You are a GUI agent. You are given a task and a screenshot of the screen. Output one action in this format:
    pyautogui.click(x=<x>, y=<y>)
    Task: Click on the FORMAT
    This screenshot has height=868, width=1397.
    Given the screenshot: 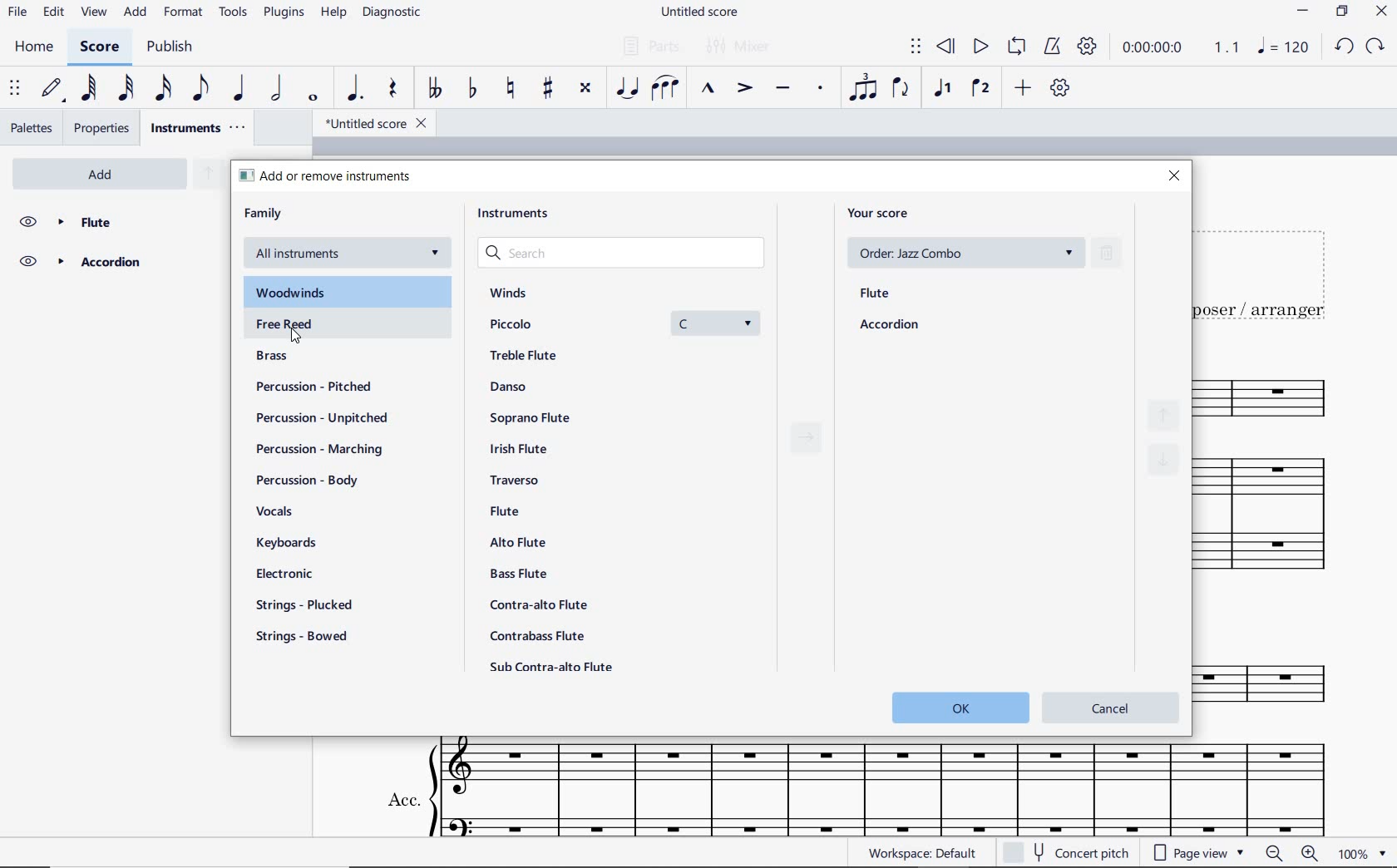 What is the action you would take?
    pyautogui.click(x=183, y=13)
    